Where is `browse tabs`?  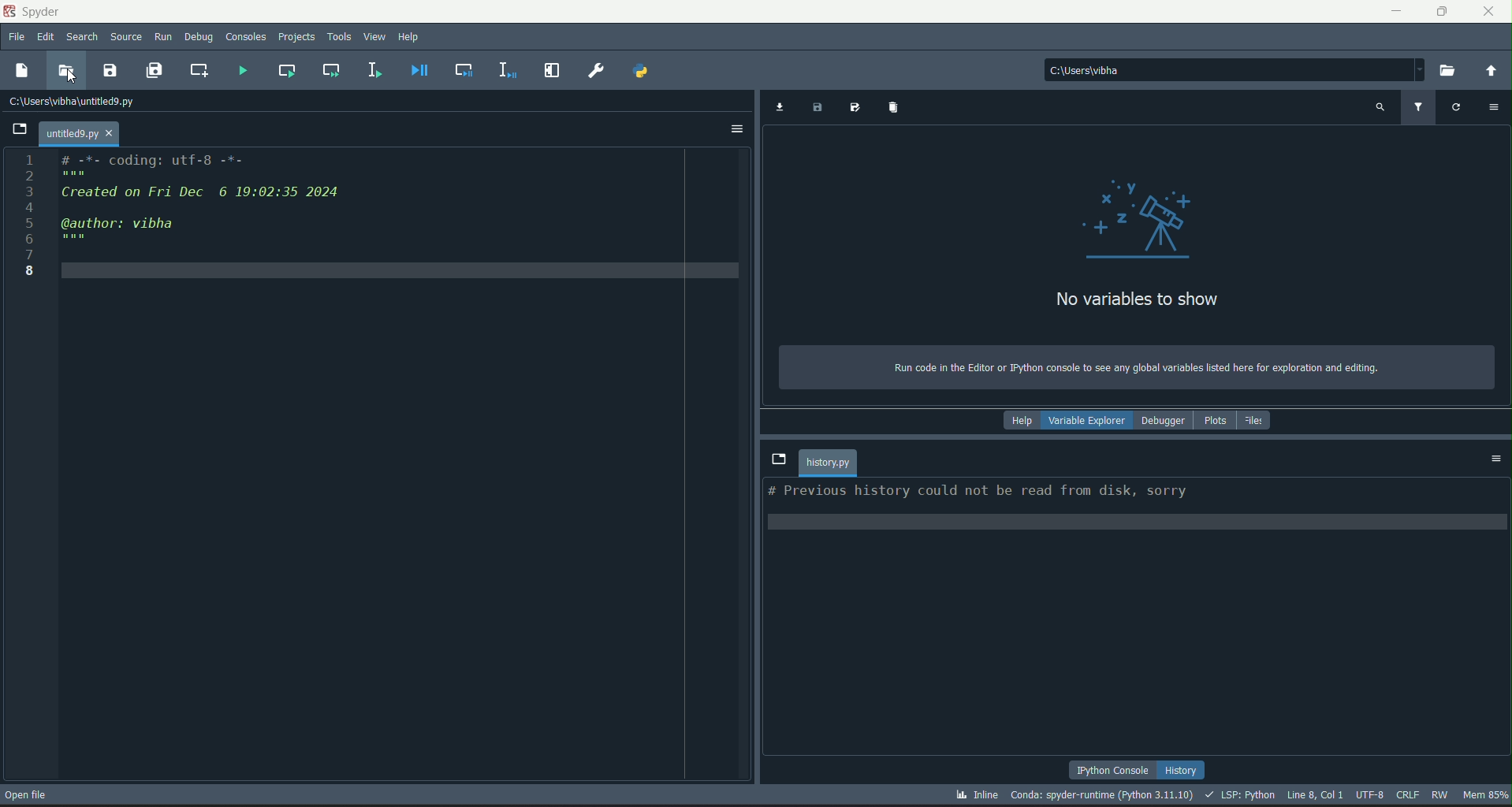
browse tabs is located at coordinates (17, 128).